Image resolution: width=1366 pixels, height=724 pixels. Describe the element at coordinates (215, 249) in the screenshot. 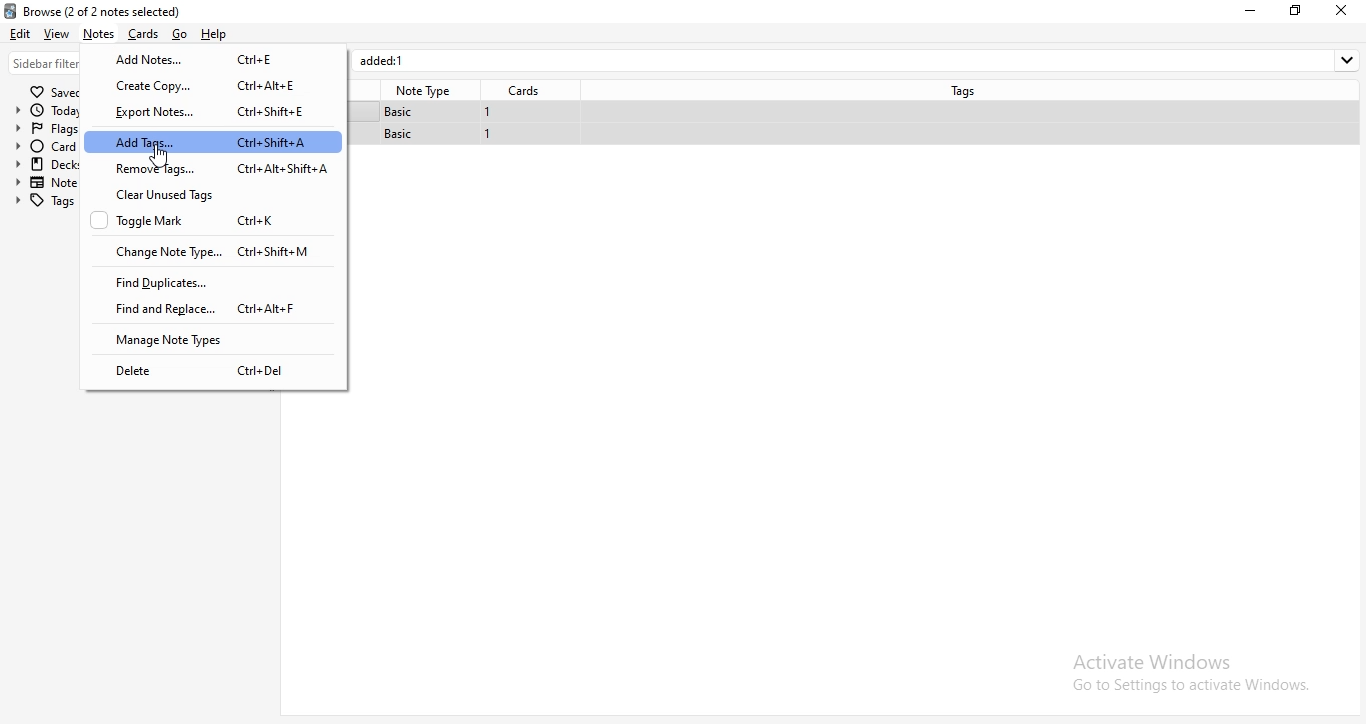

I see `change note type` at that location.